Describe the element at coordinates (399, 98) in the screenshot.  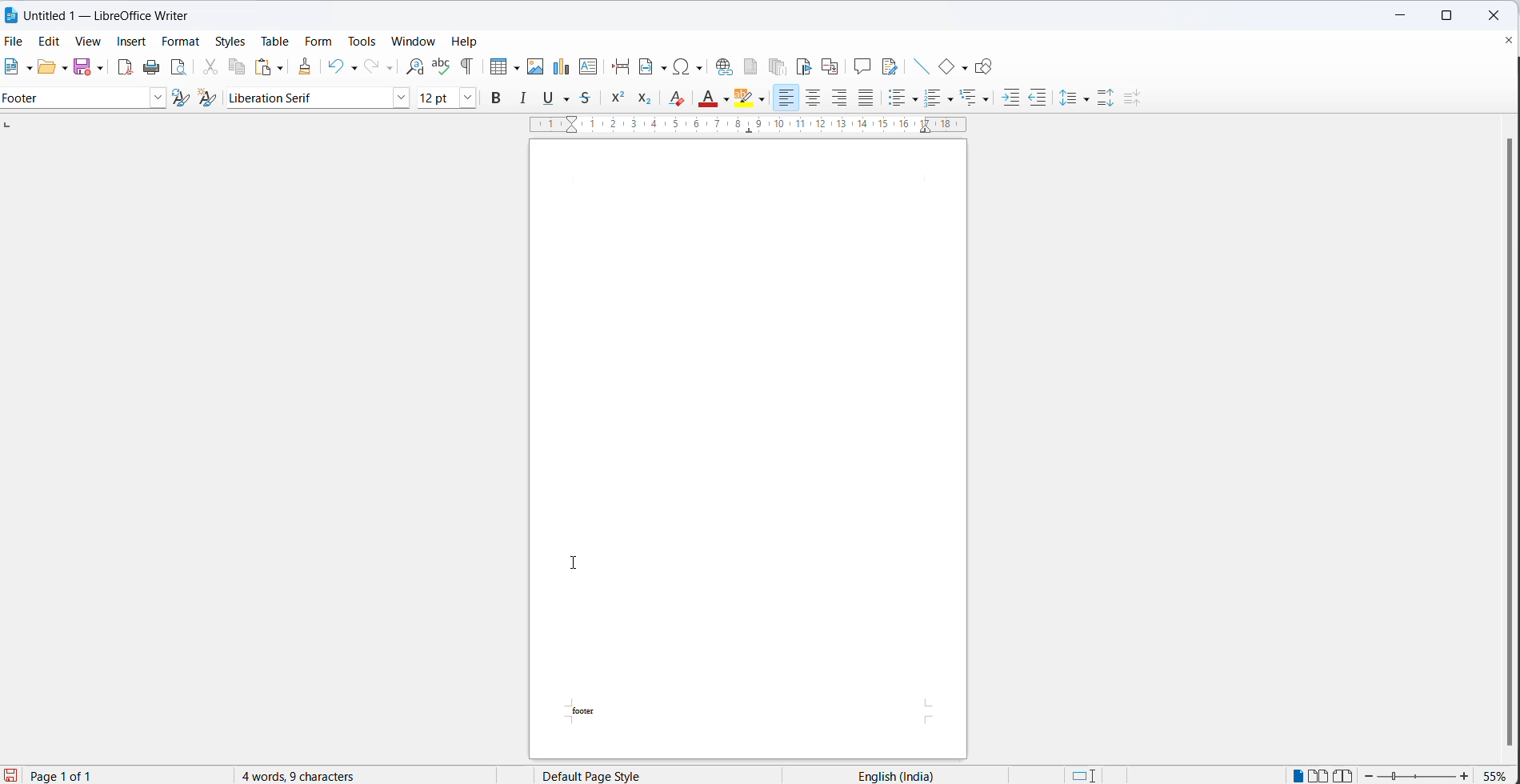
I see `font name options` at that location.